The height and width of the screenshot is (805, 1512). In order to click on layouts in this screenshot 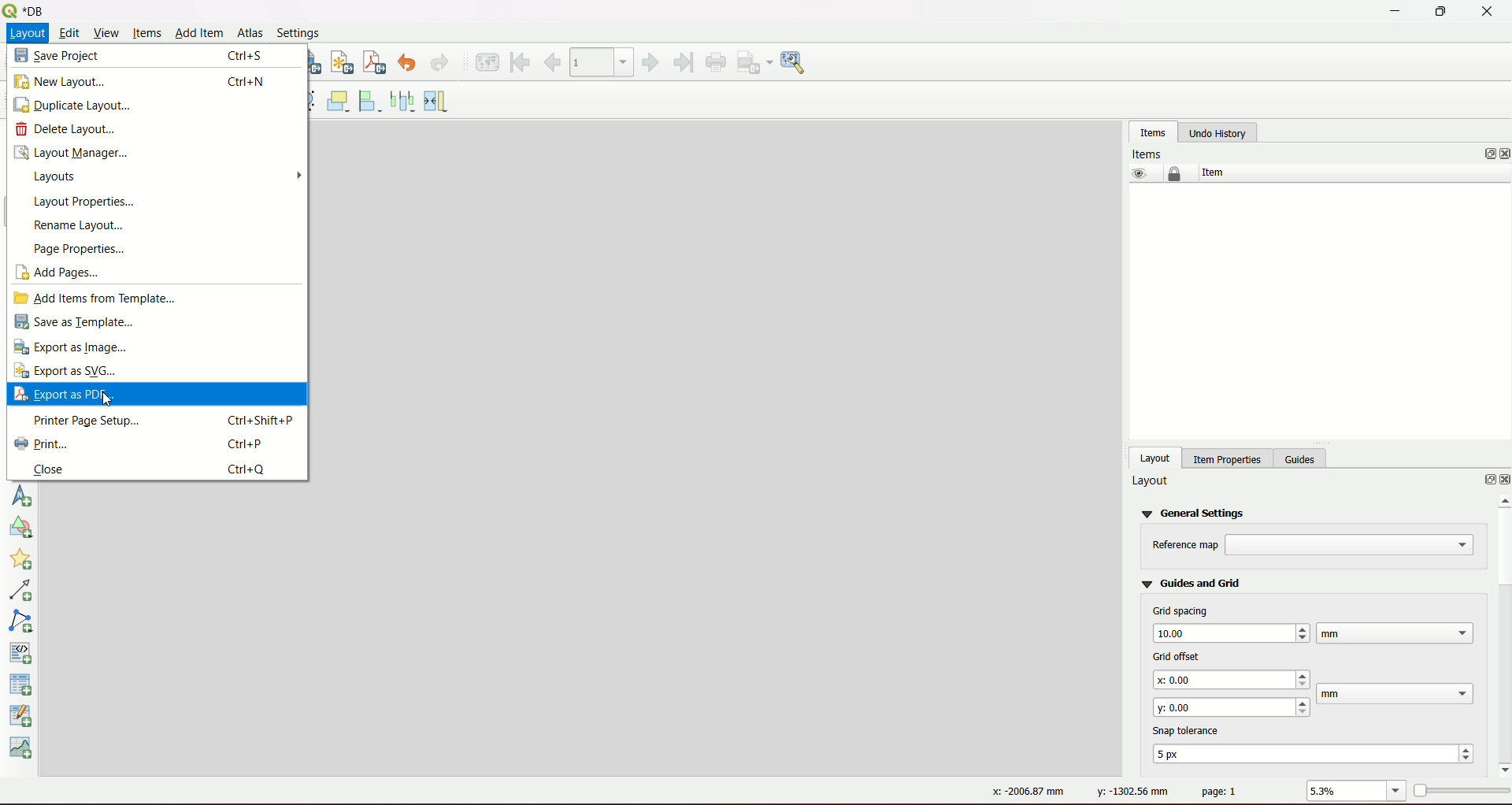, I will do `click(58, 178)`.